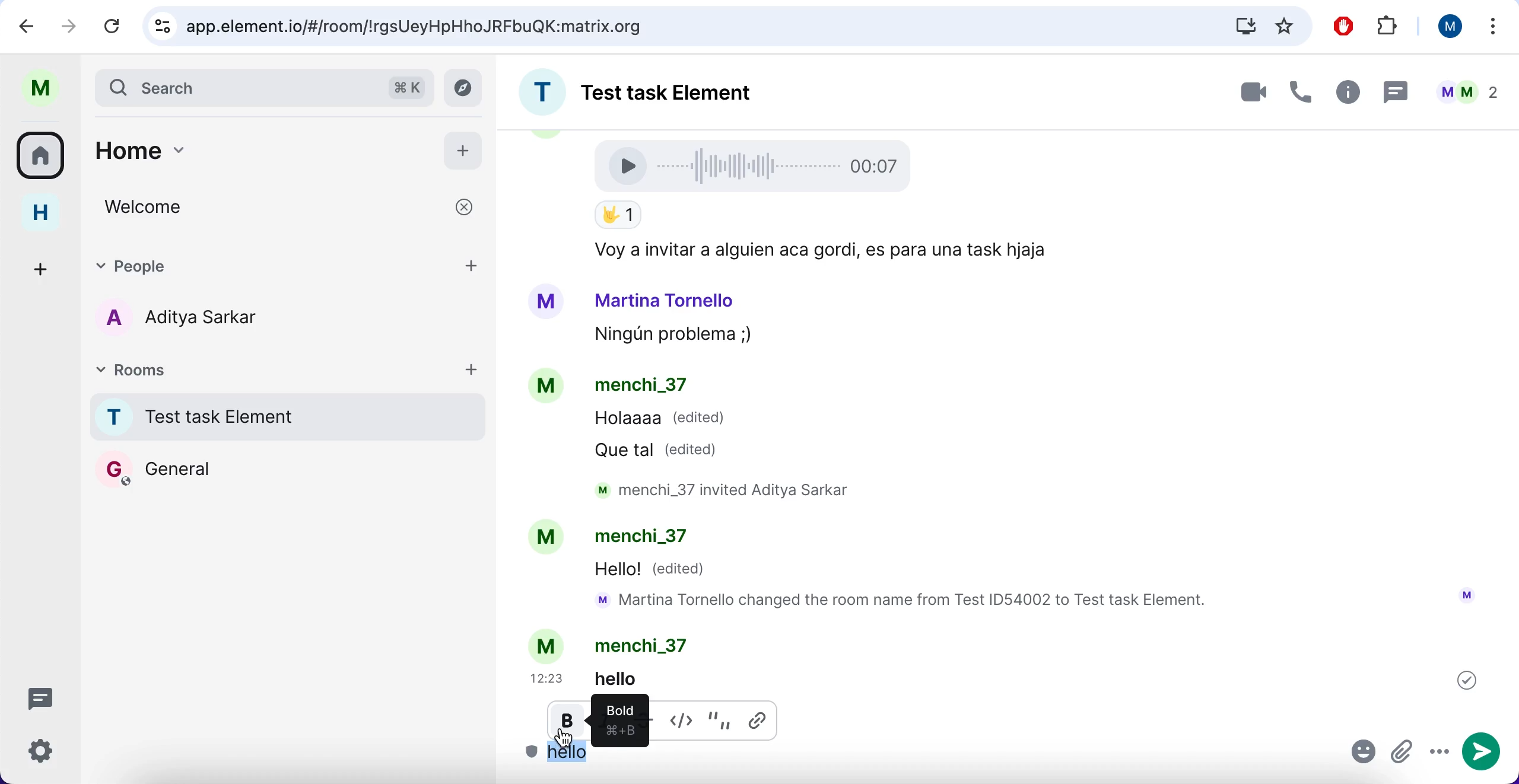  I want to click on voice call, so click(1297, 95).